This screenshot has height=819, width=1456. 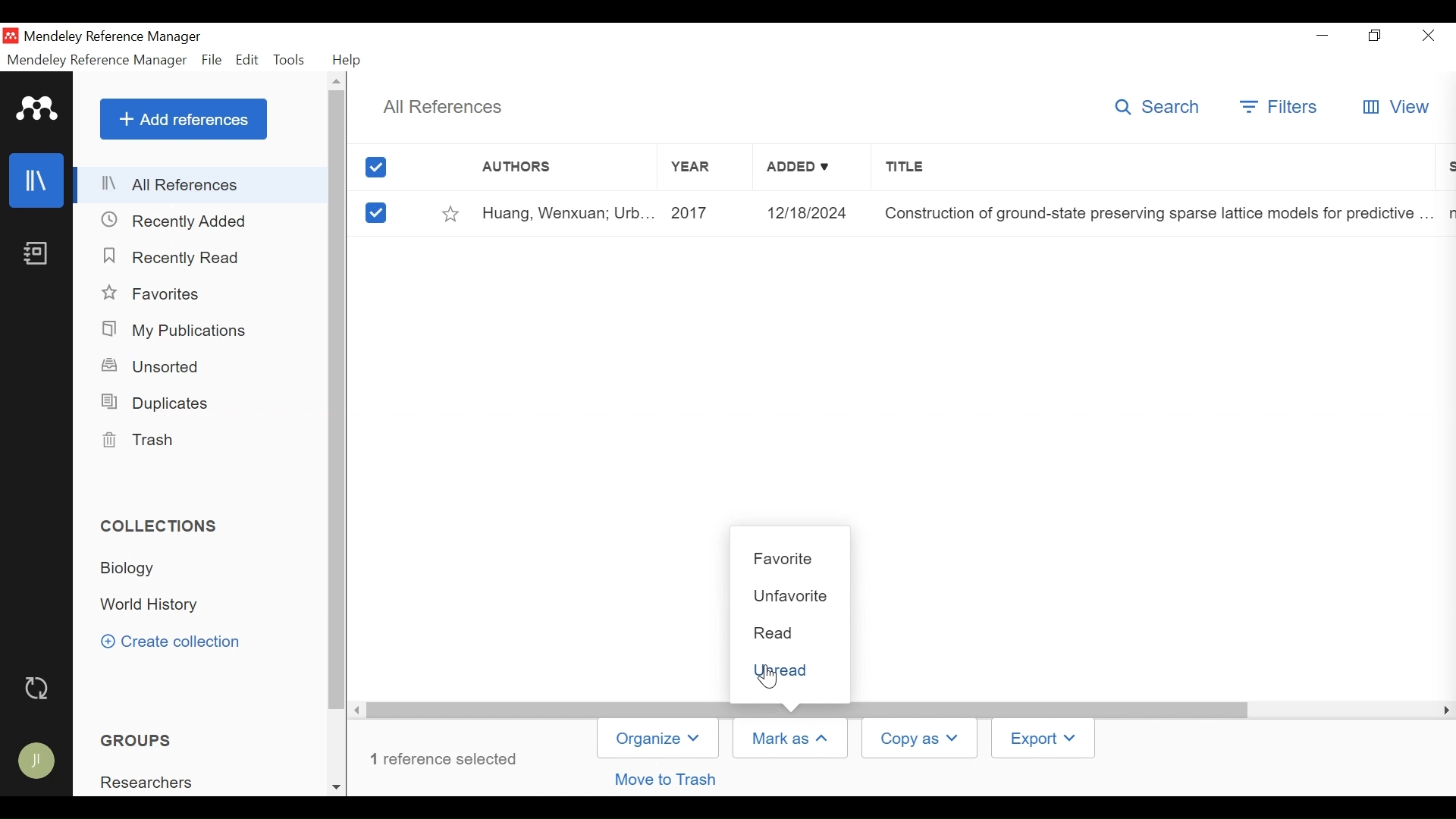 What do you see at coordinates (703, 169) in the screenshot?
I see `Year` at bounding box center [703, 169].